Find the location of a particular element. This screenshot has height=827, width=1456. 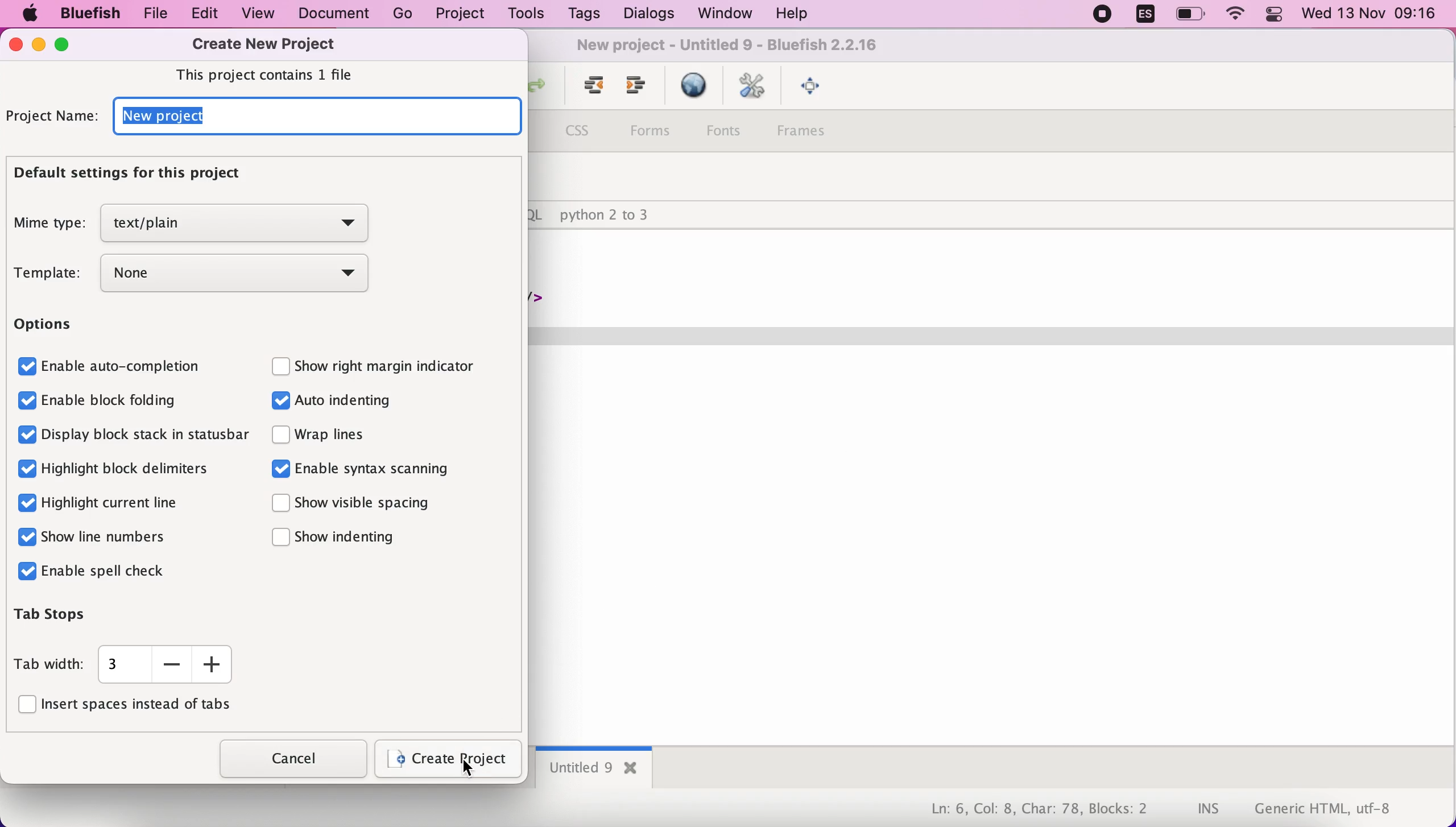

create new project is located at coordinates (272, 44).